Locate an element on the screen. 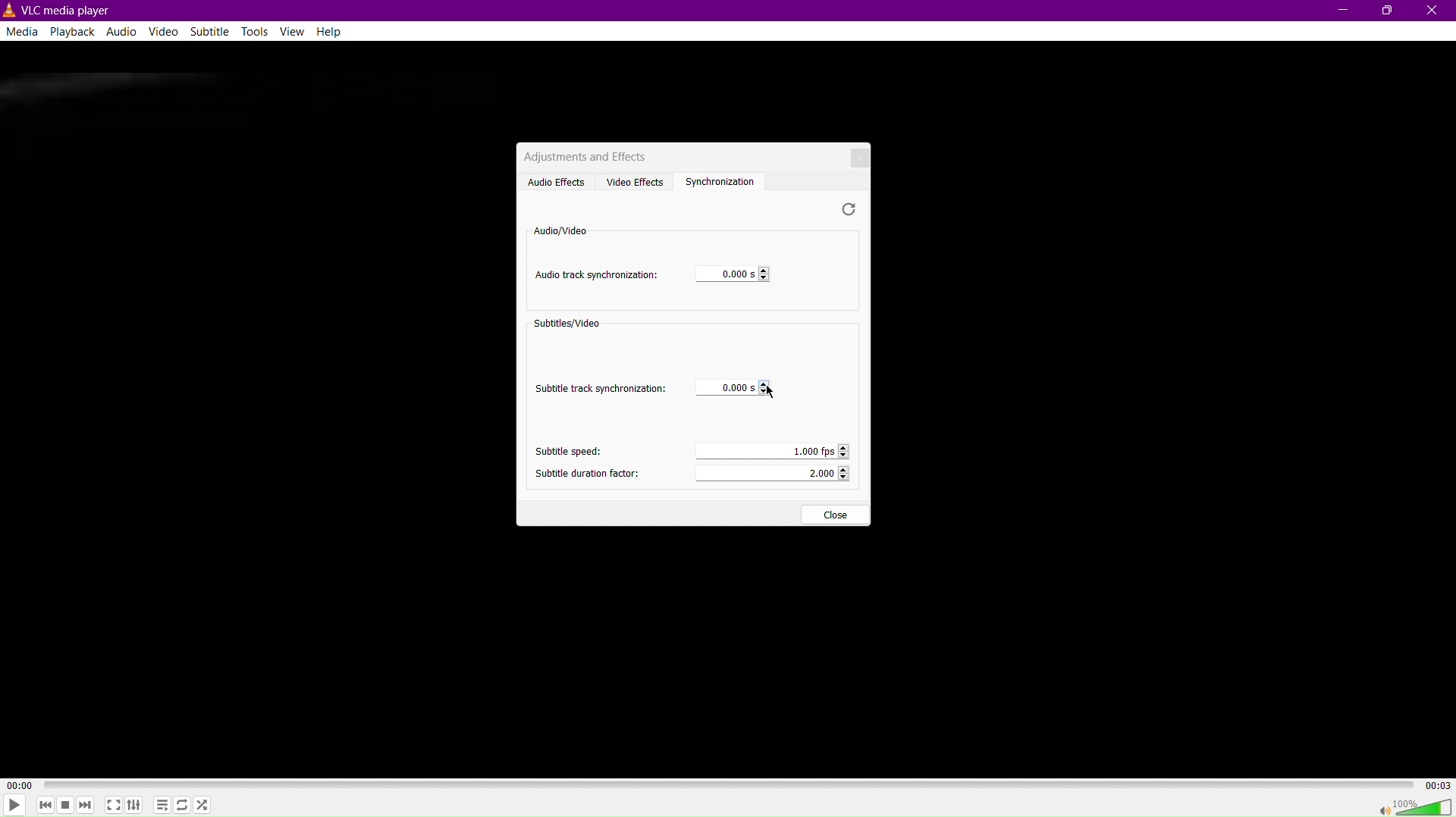  Subtitle duration factor is located at coordinates (586, 471).